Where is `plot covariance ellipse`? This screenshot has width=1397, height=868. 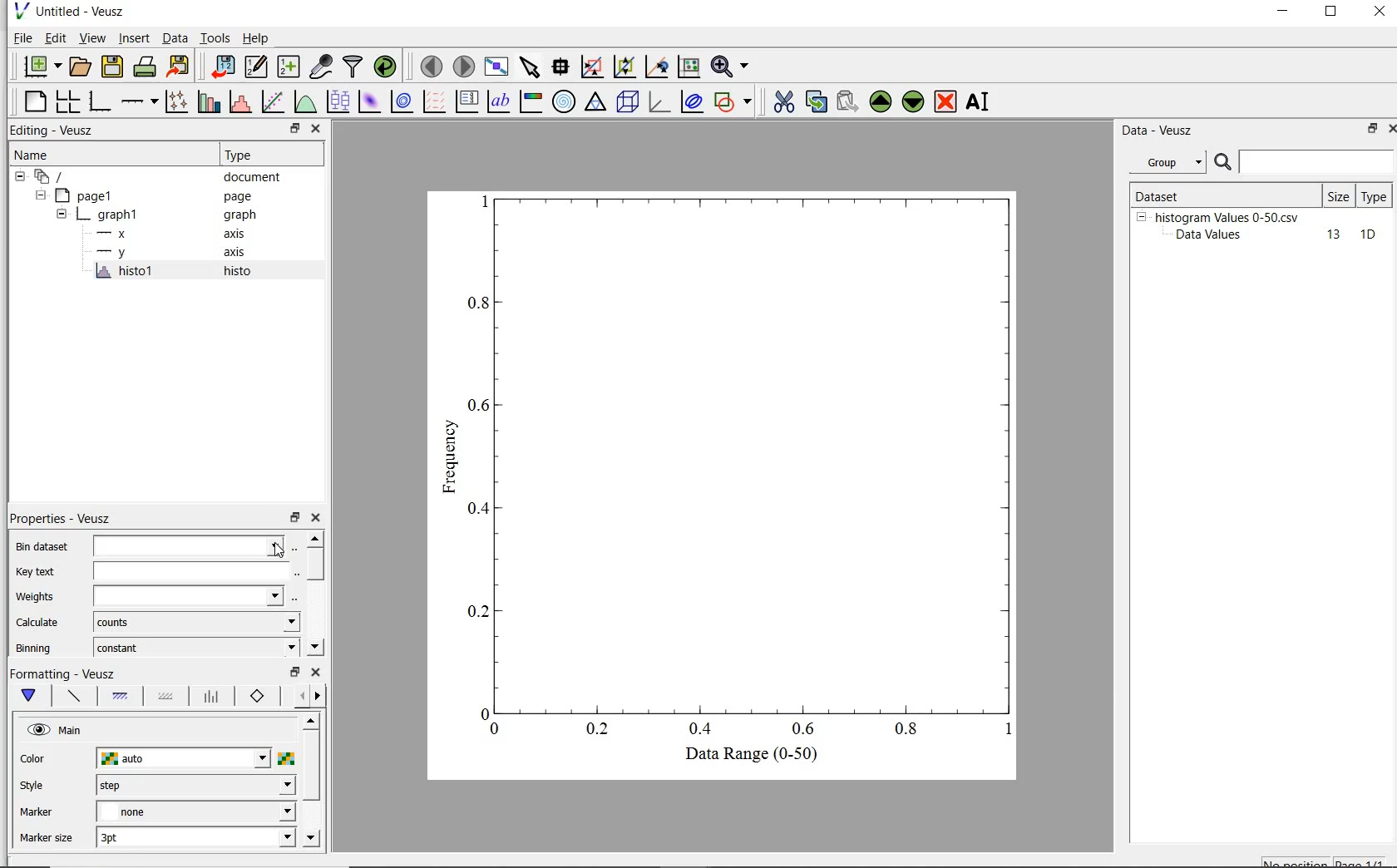 plot covariance ellipse is located at coordinates (692, 104).